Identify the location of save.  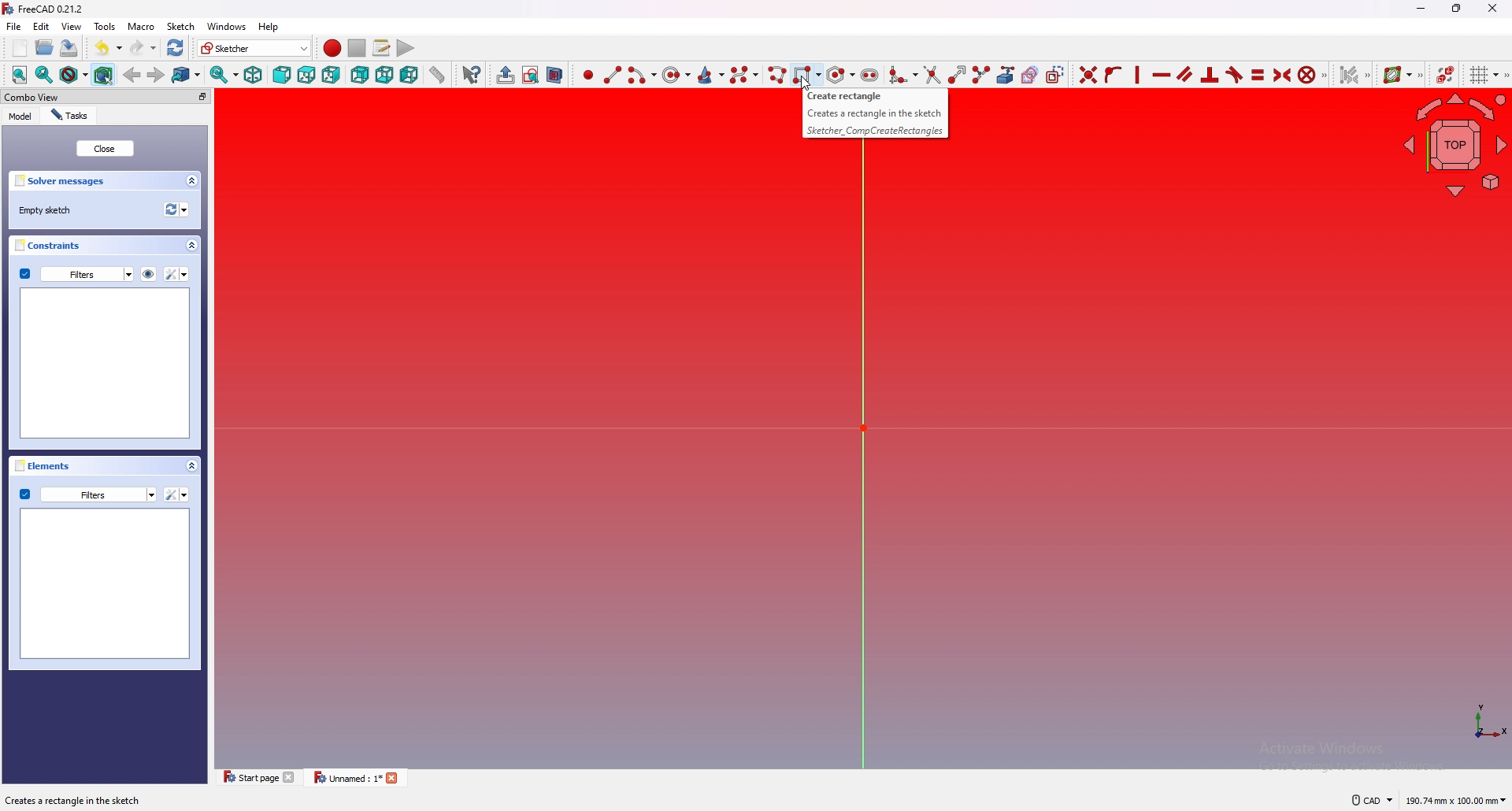
(70, 49).